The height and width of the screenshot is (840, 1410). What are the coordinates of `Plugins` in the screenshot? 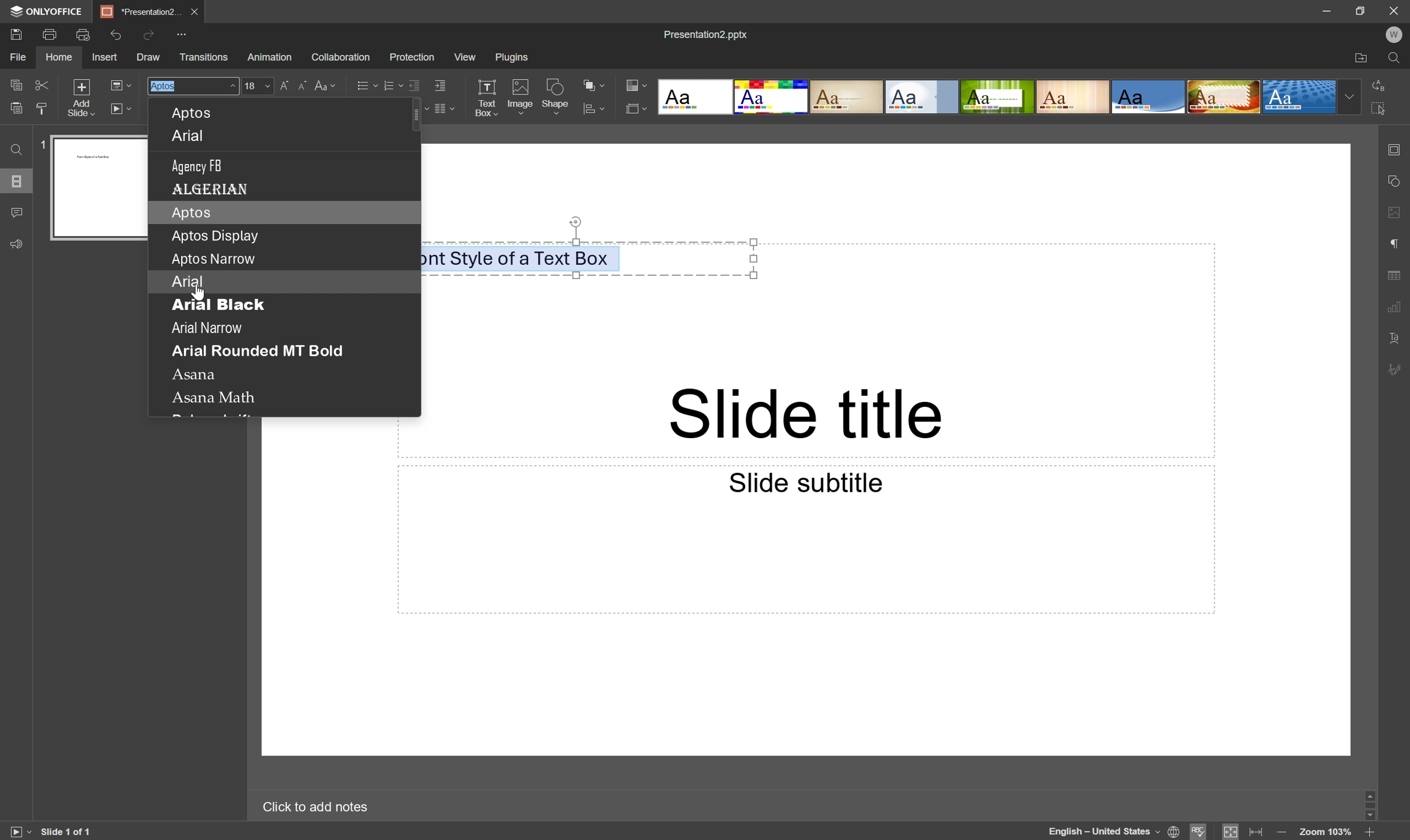 It's located at (512, 57).